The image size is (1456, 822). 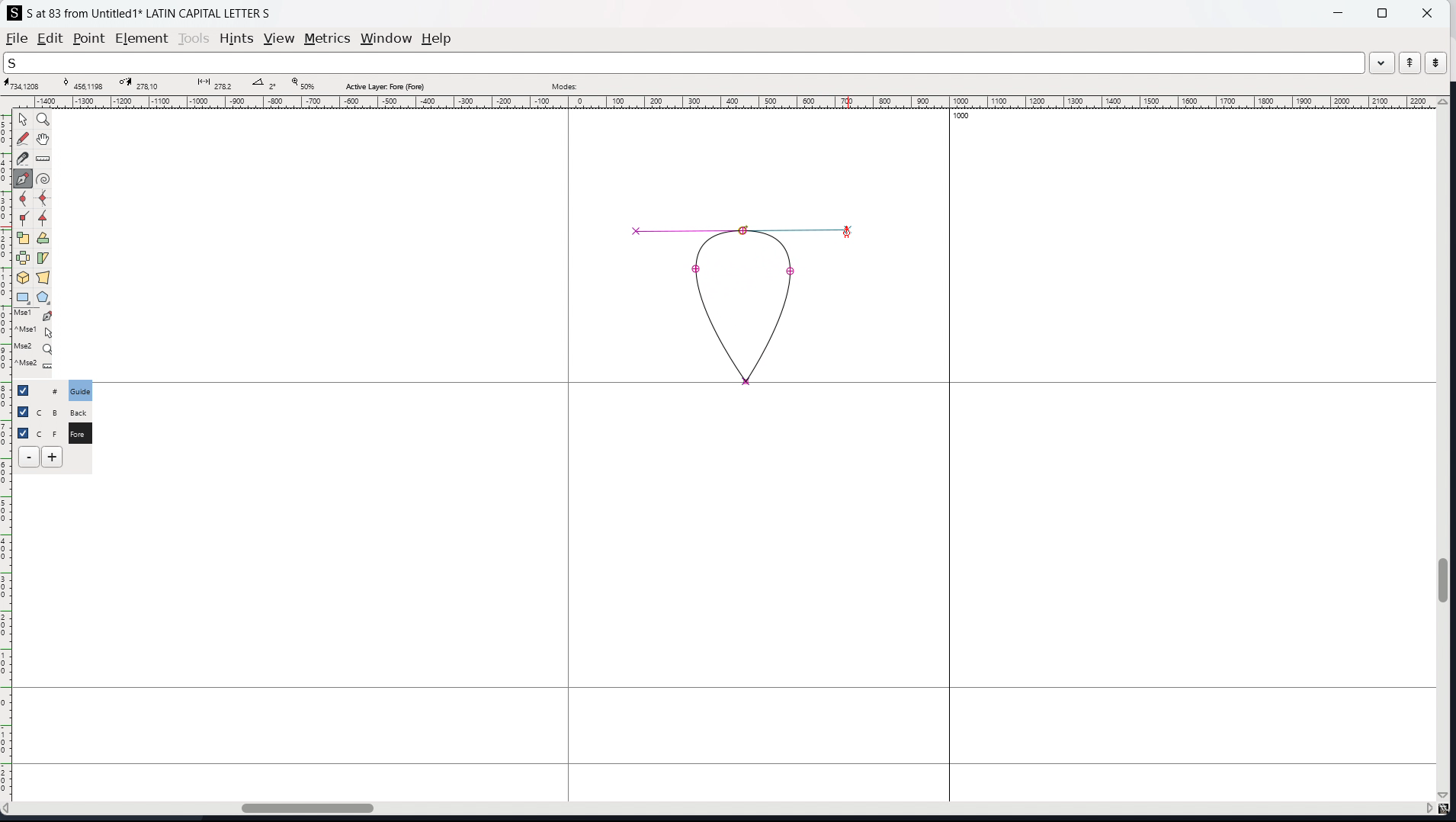 I want to click on logo, so click(x=14, y=13).